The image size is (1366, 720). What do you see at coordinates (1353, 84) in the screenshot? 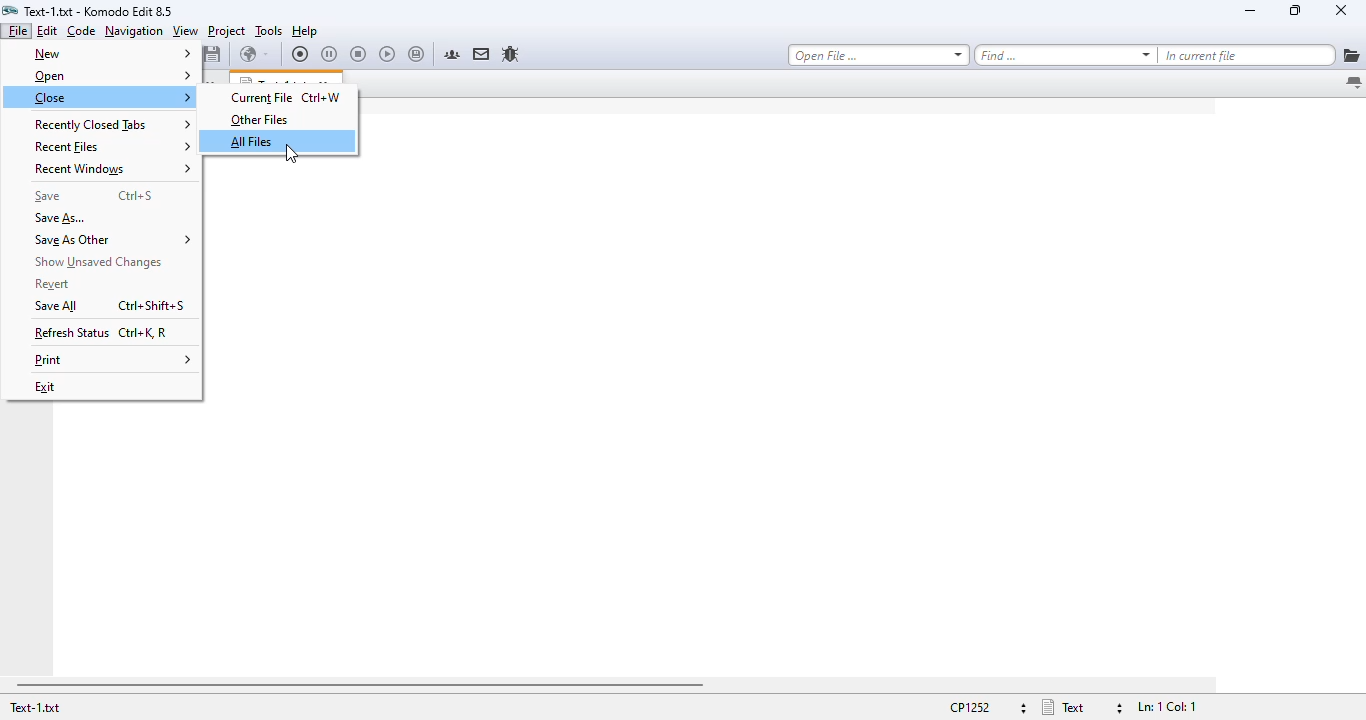
I see `list all tabs` at bounding box center [1353, 84].